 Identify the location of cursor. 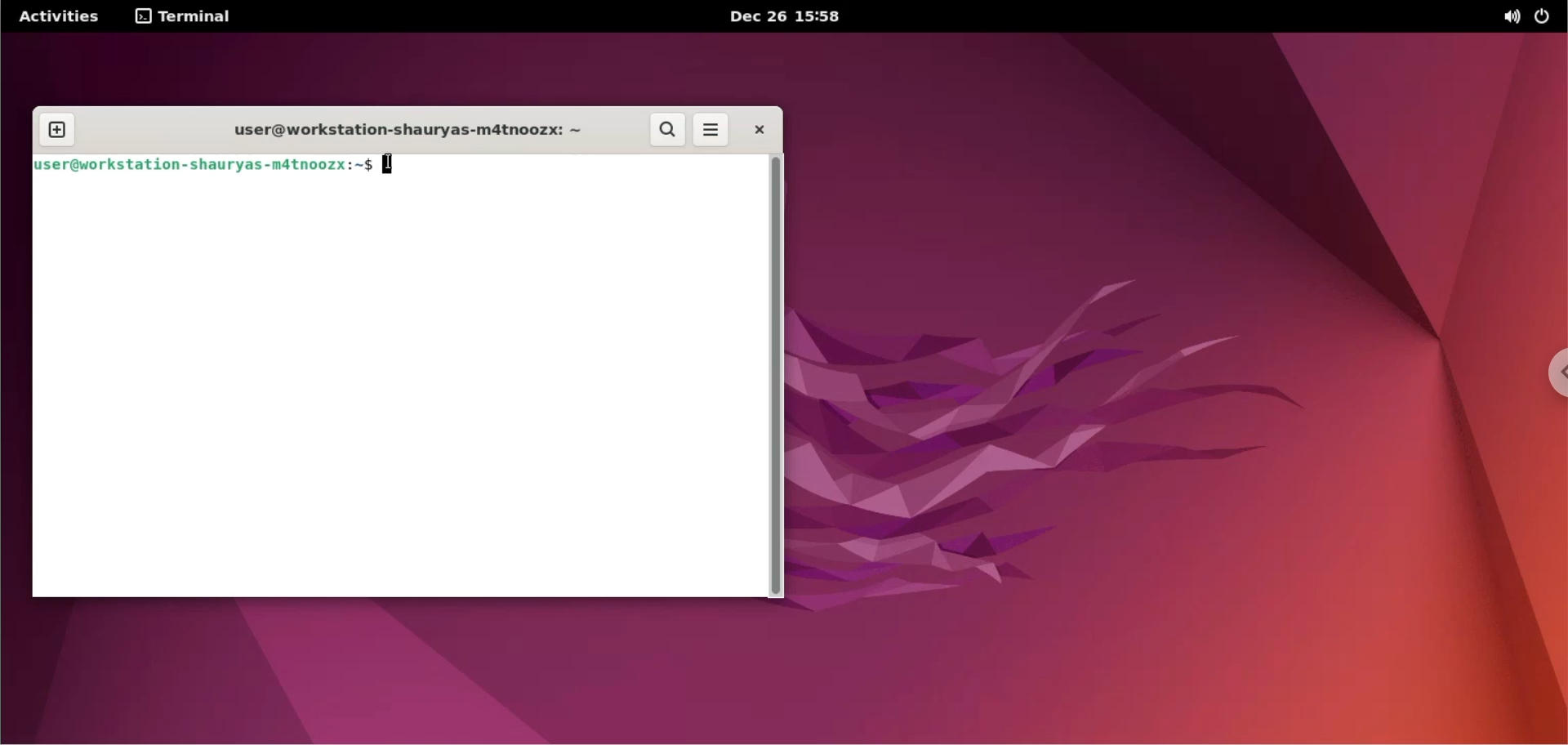
(390, 164).